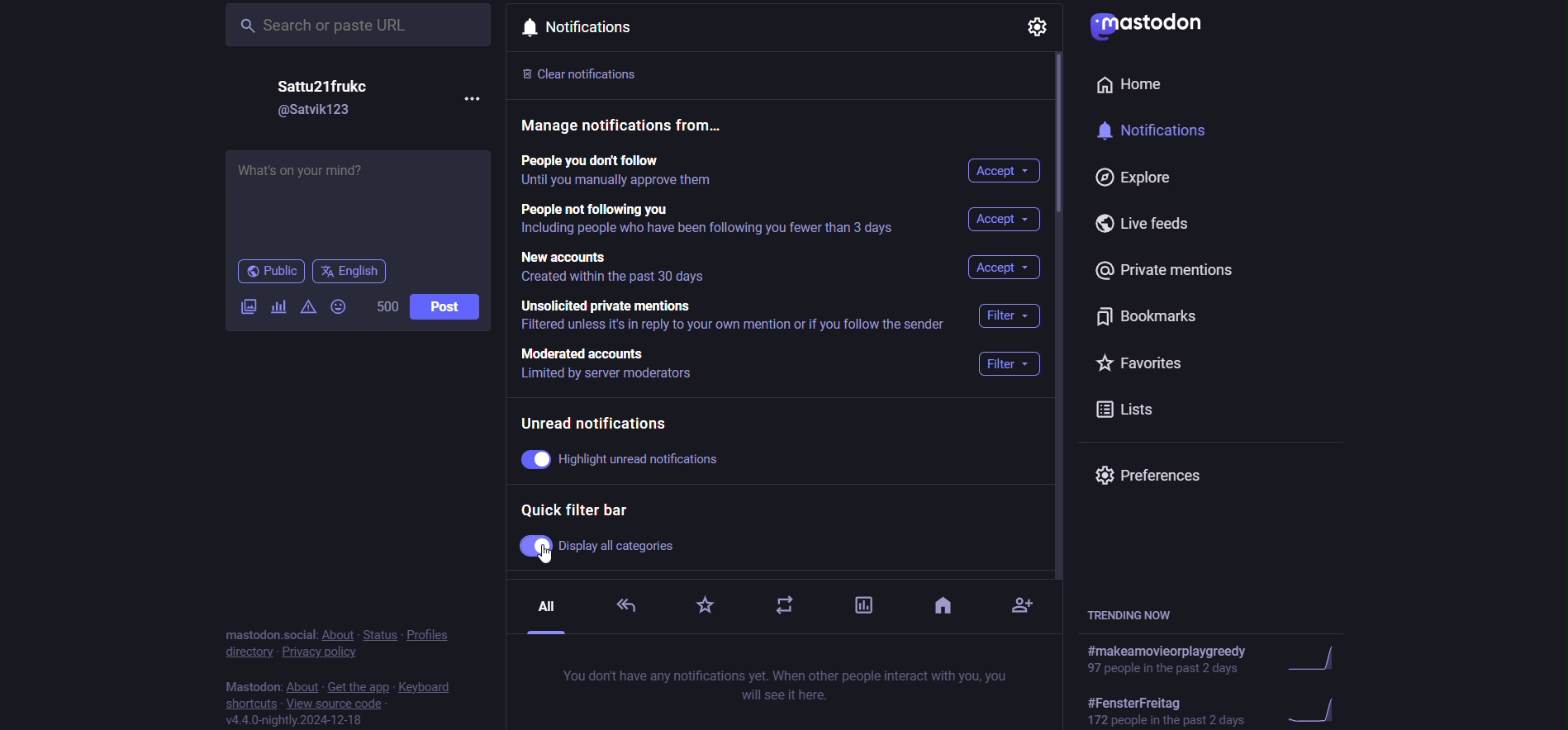 This screenshot has width=1568, height=730. What do you see at coordinates (626, 461) in the screenshot?
I see `highlight unread notification` at bounding box center [626, 461].